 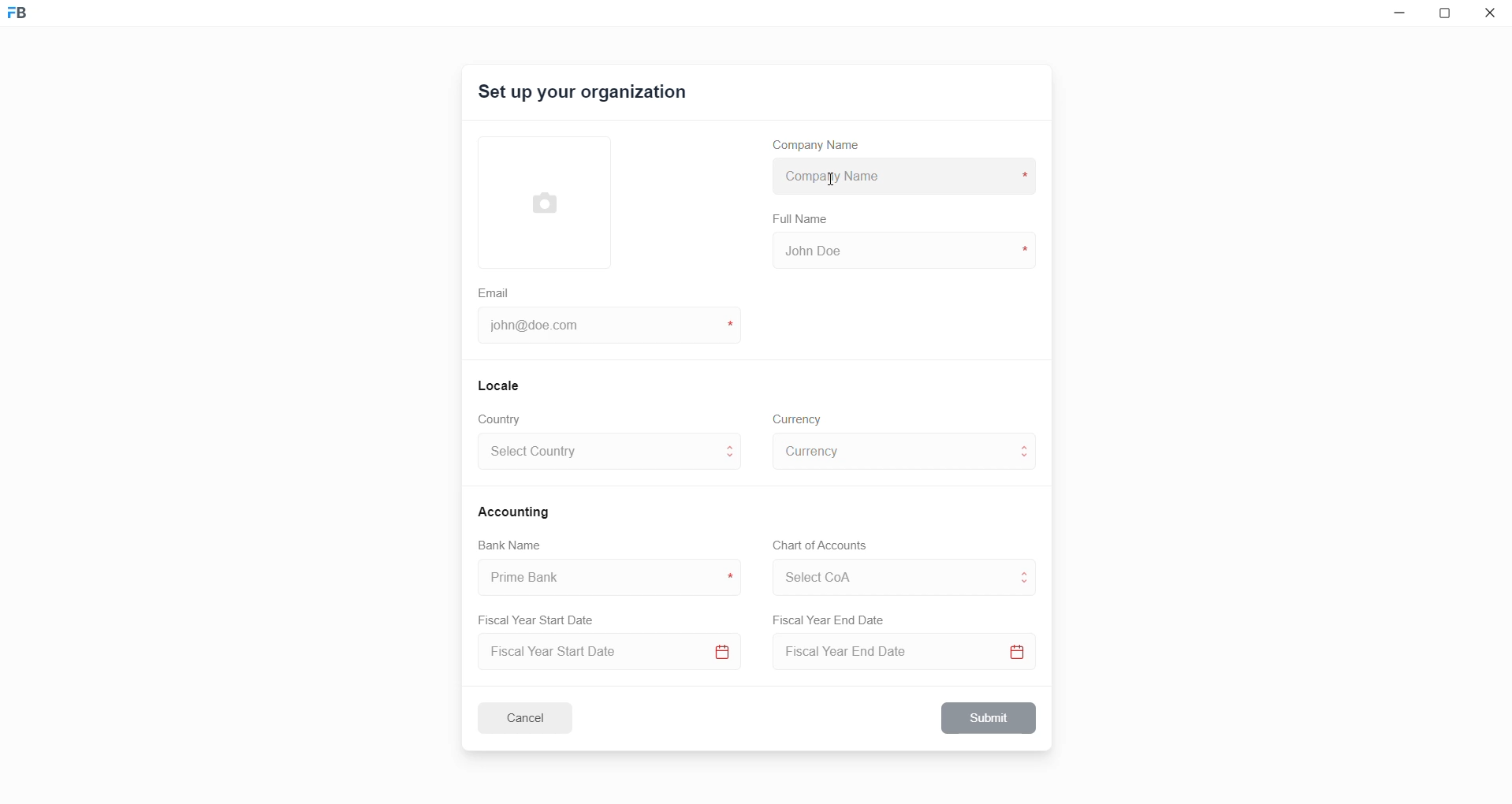 What do you see at coordinates (598, 454) in the screenshot?
I see `select country` at bounding box center [598, 454].